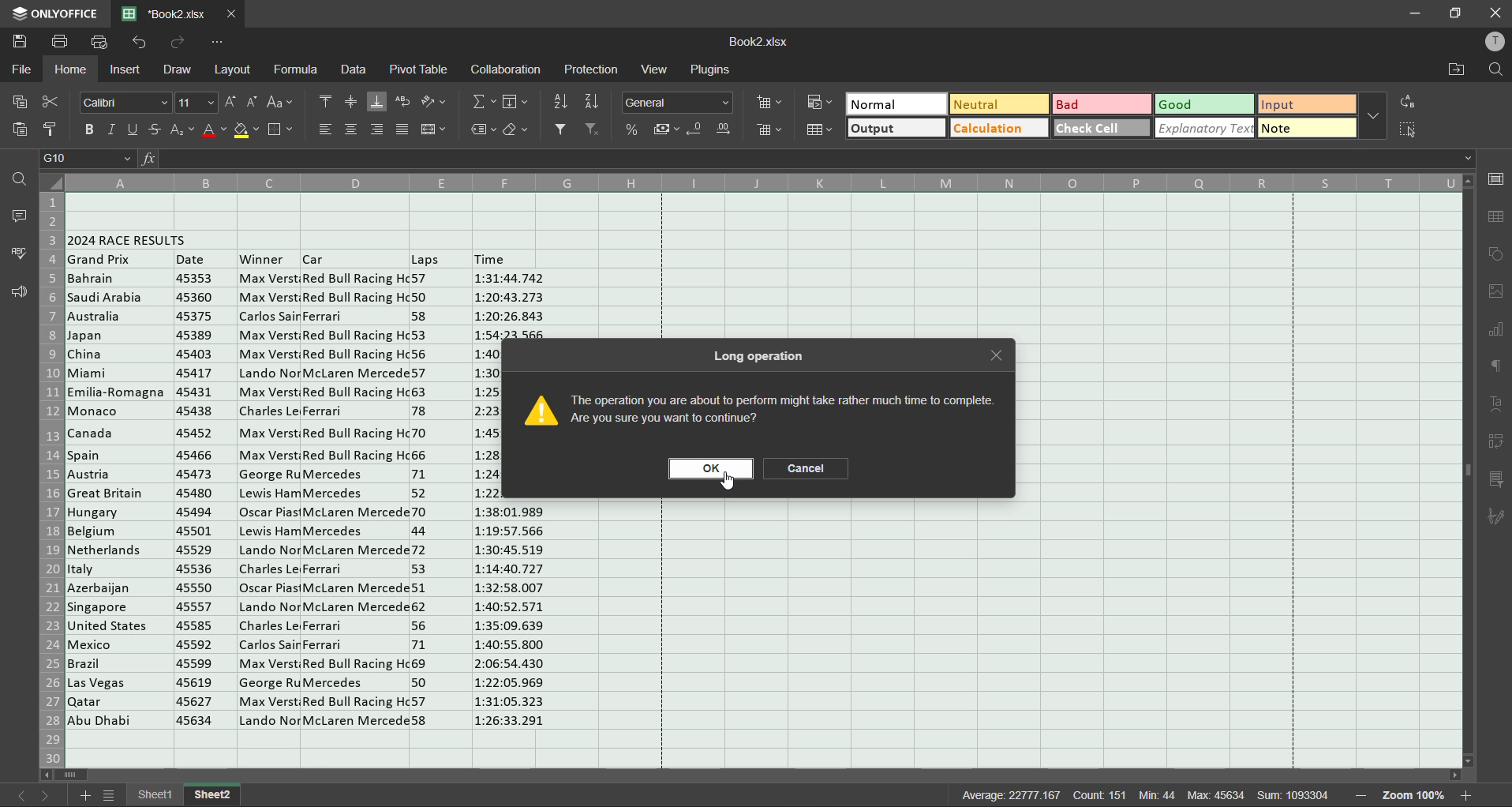 The image size is (1512, 807). What do you see at coordinates (103, 43) in the screenshot?
I see `quick print` at bounding box center [103, 43].